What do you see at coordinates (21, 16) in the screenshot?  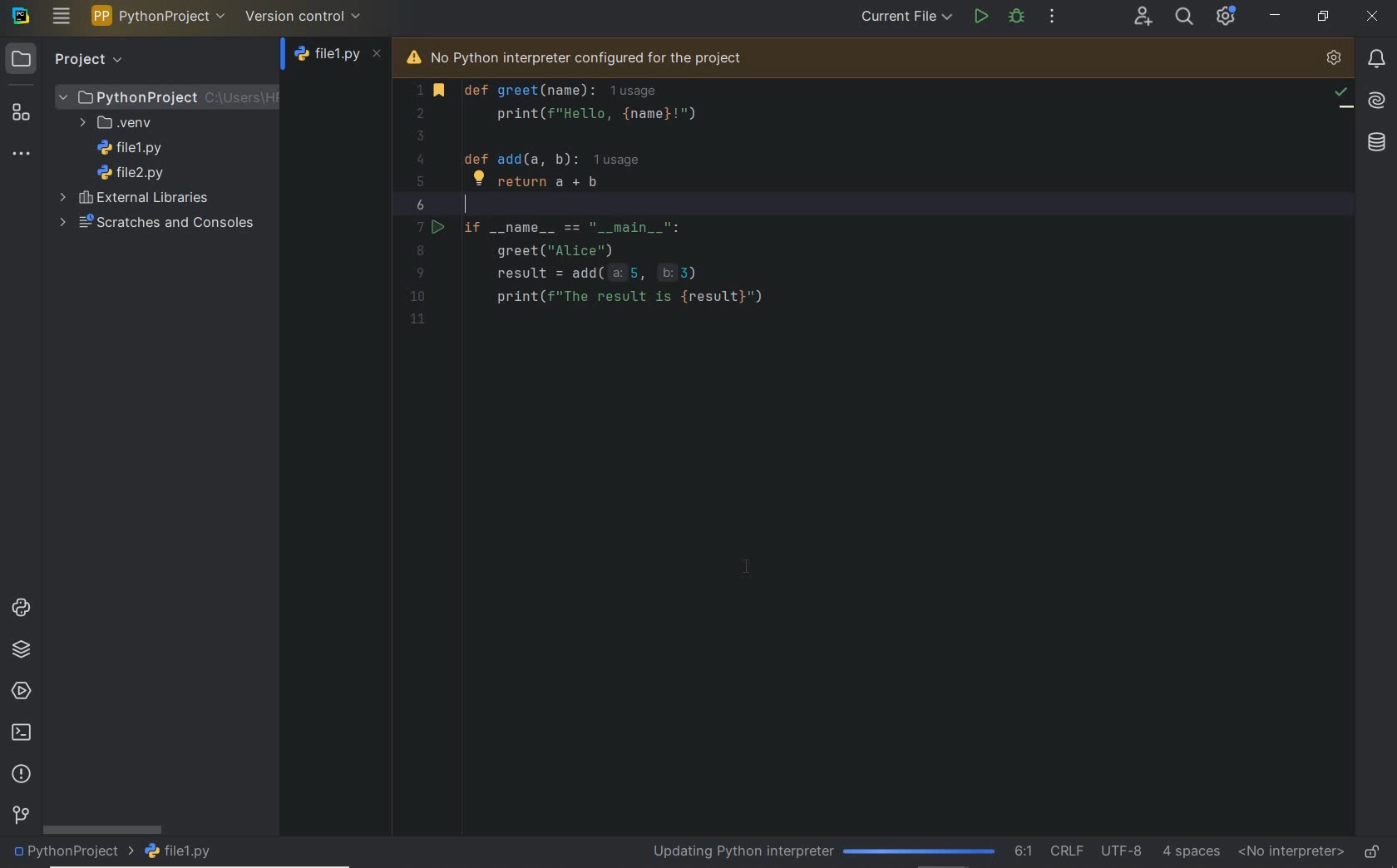 I see `system name` at bounding box center [21, 16].